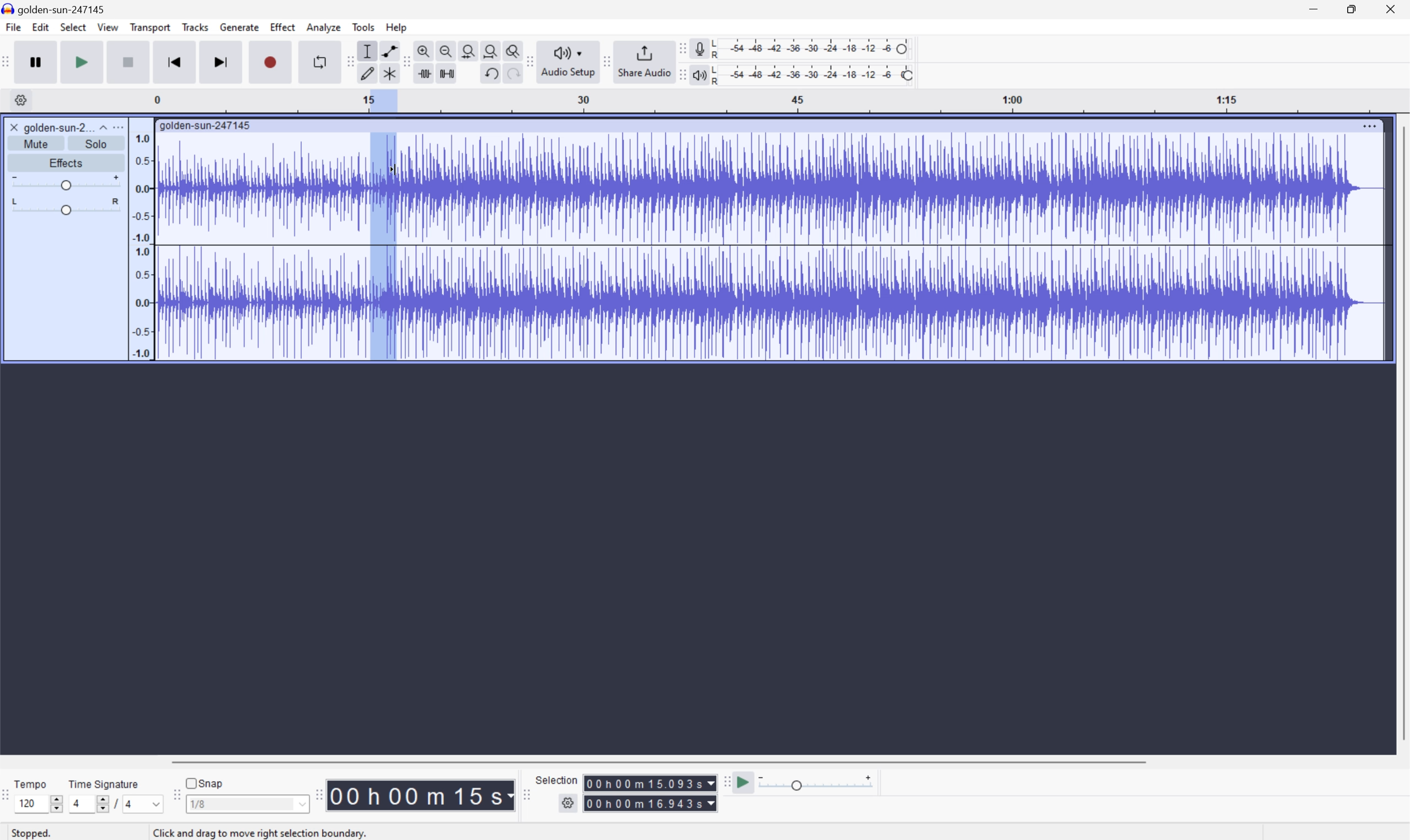  Describe the element at coordinates (141, 246) in the screenshot. I see `Frequencies` at that location.